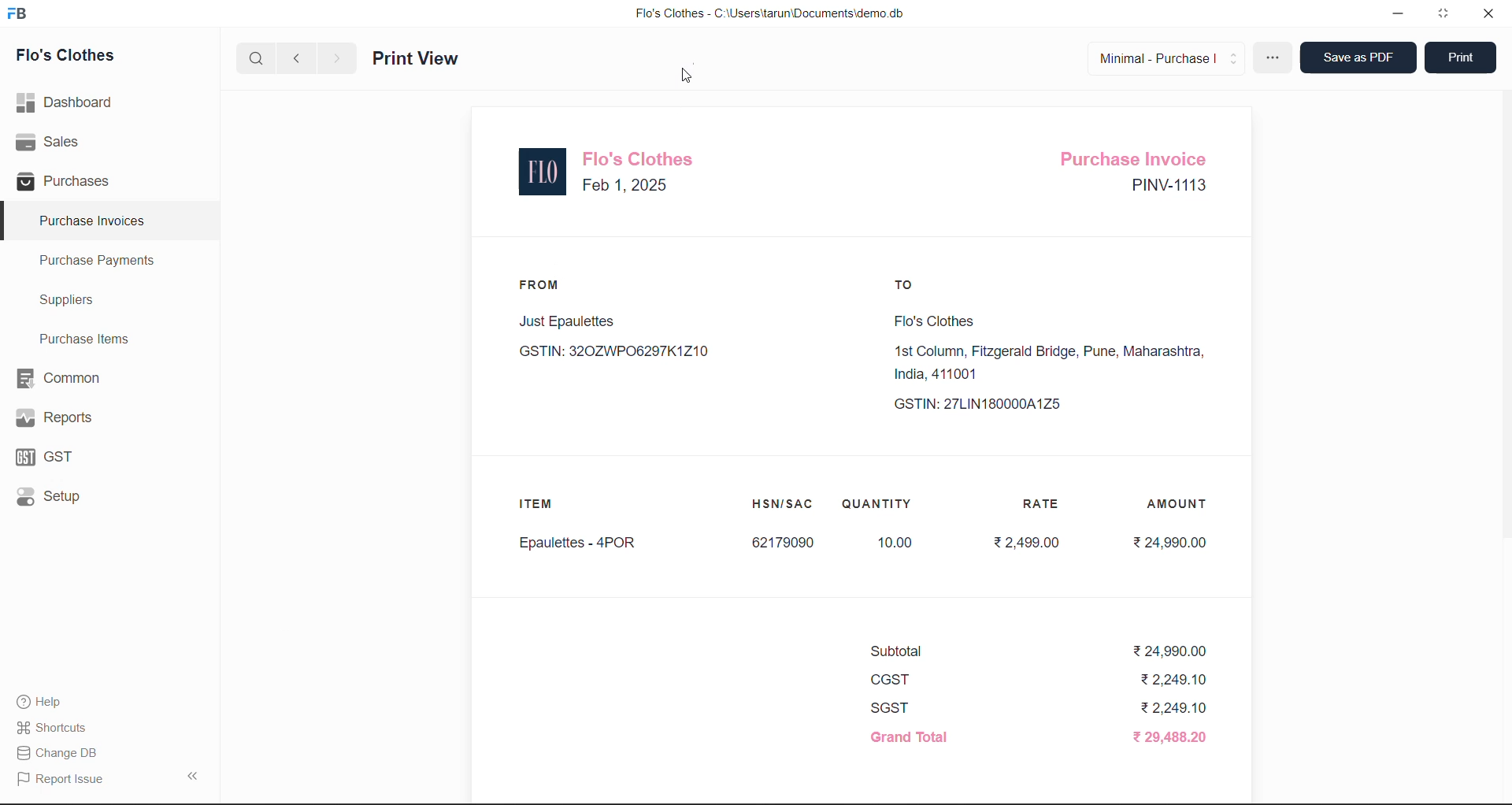 Image resolution: width=1512 pixels, height=805 pixels. What do you see at coordinates (428, 58) in the screenshot?
I see ` Print View` at bounding box center [428, 58].